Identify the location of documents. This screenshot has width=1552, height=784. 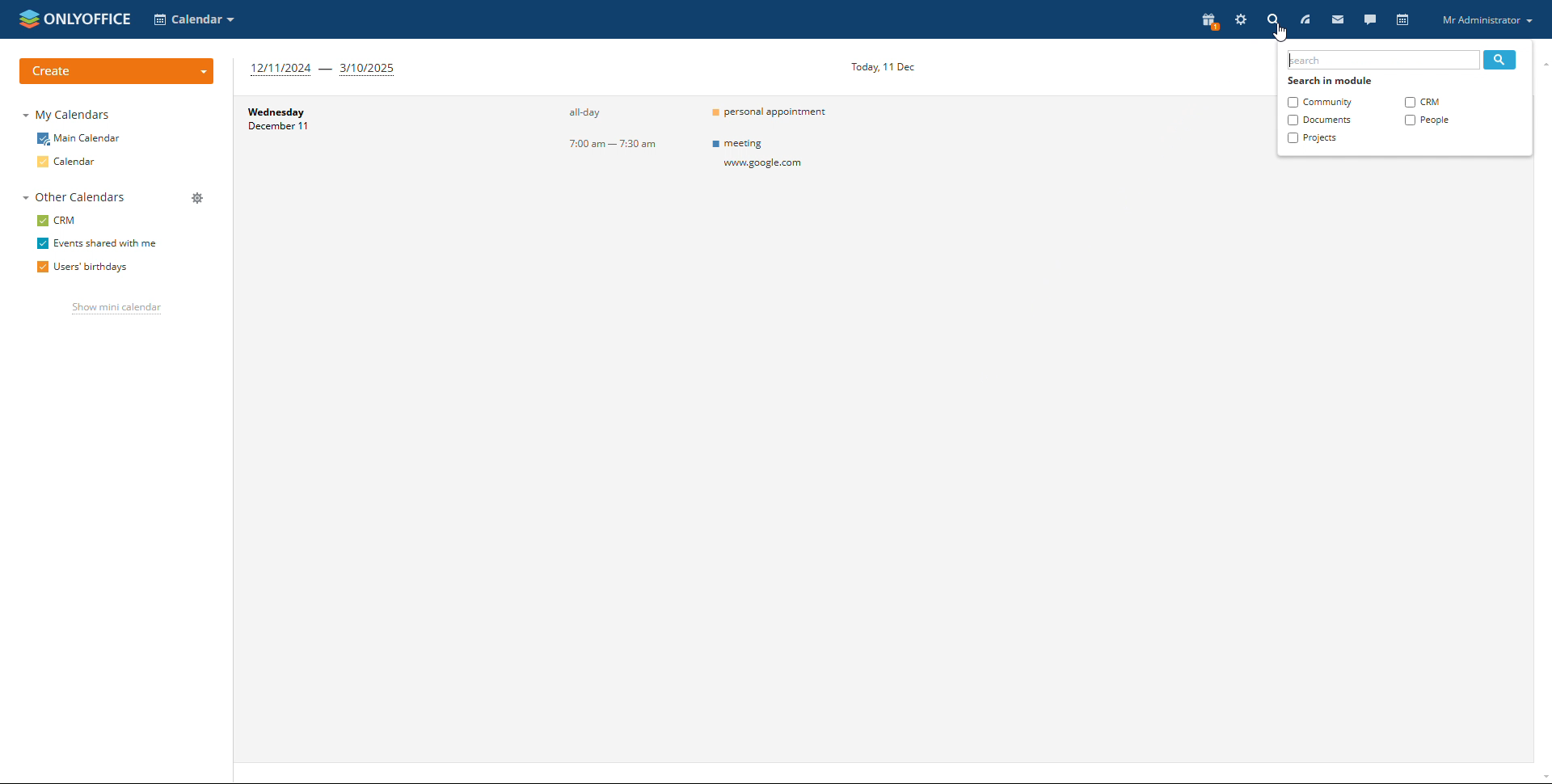
(1317, 120).